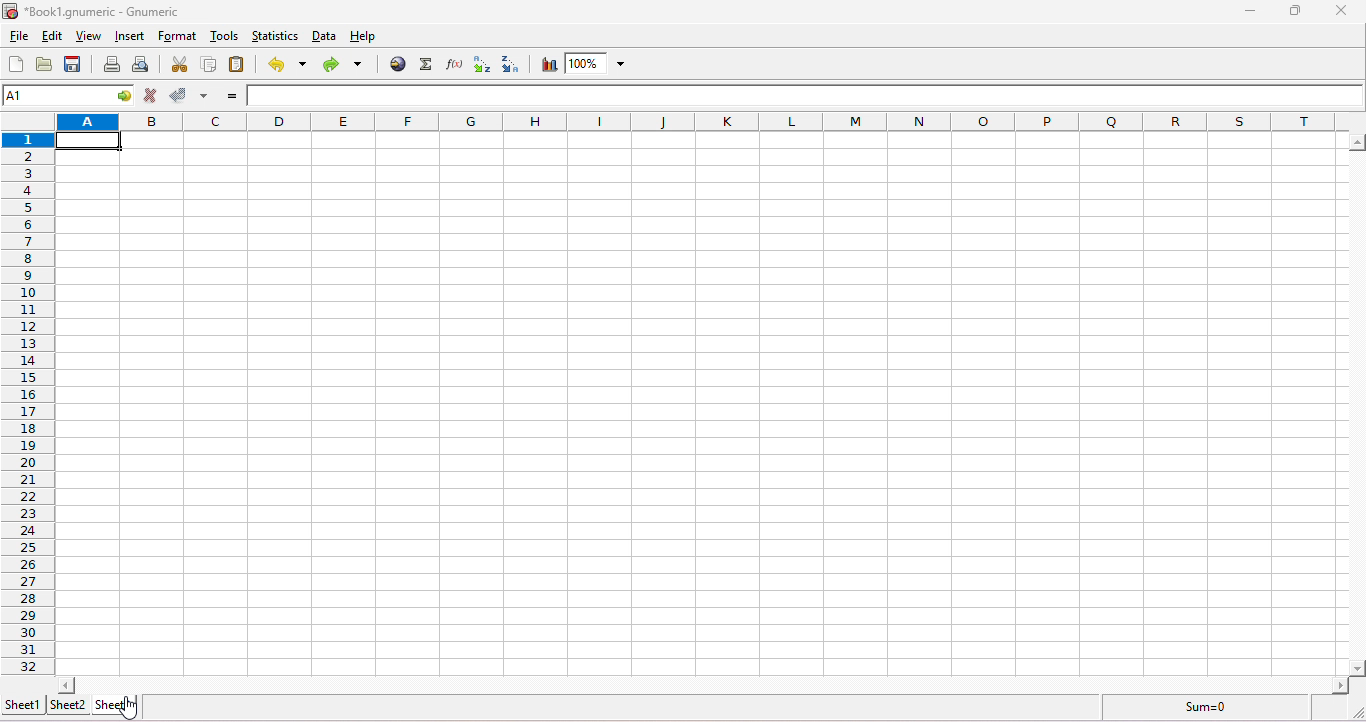 This screenshot has height=722, width=1366. I want to click on statistics, so click(277, 36).